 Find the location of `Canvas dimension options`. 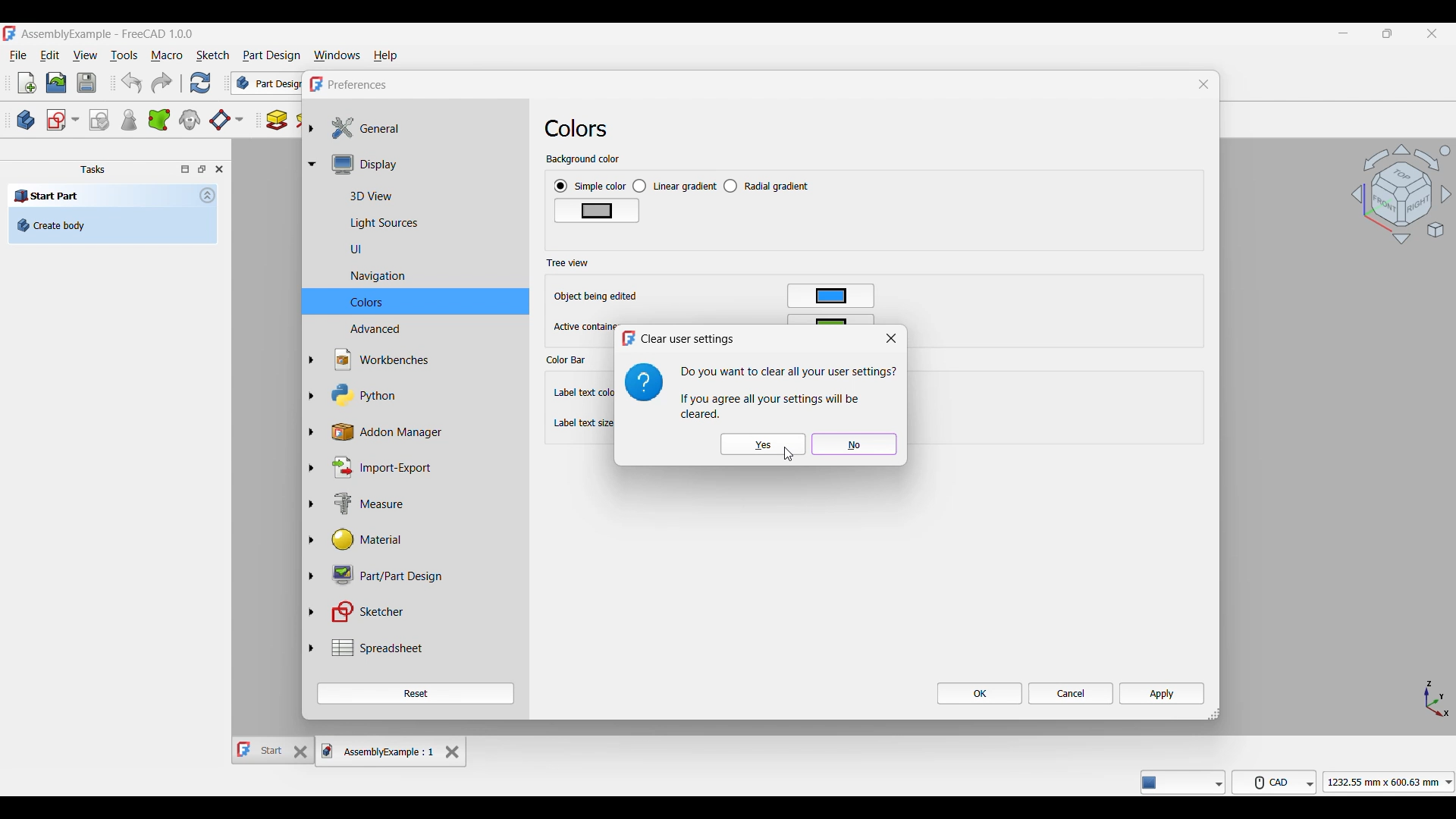

Canvas dimension options is located at coordinates (1389, 782).